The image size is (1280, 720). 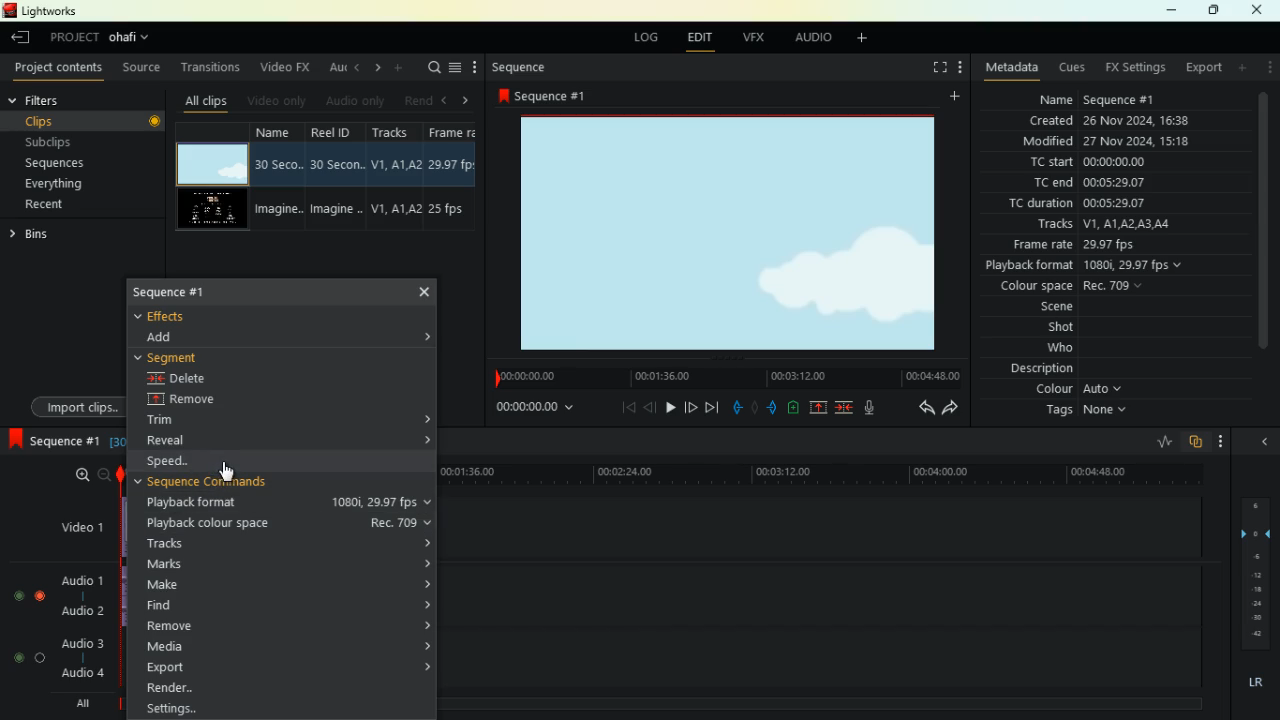 I want to click on timeline, so click(x=825, y=704).